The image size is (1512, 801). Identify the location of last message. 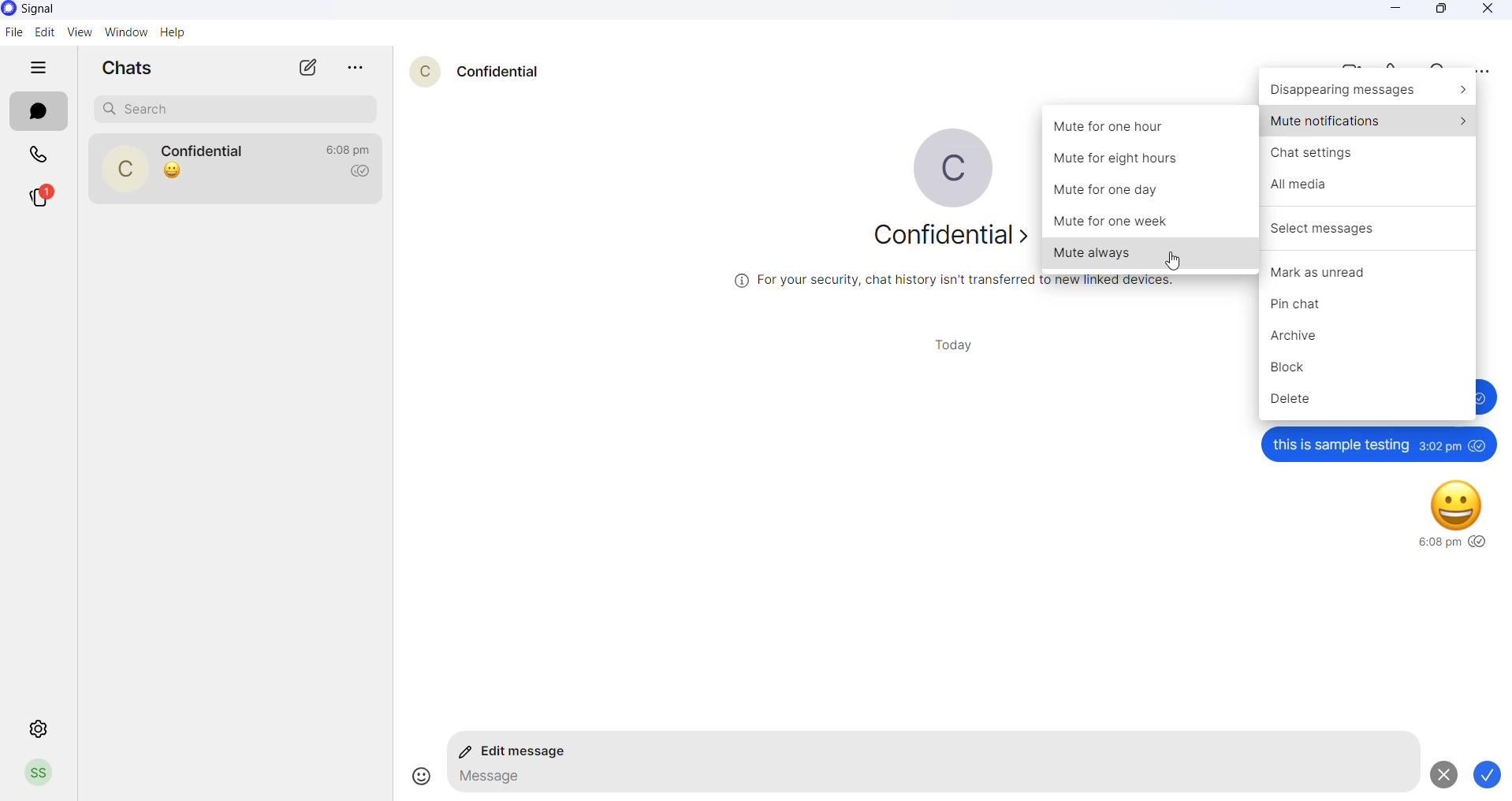
(173, 172).